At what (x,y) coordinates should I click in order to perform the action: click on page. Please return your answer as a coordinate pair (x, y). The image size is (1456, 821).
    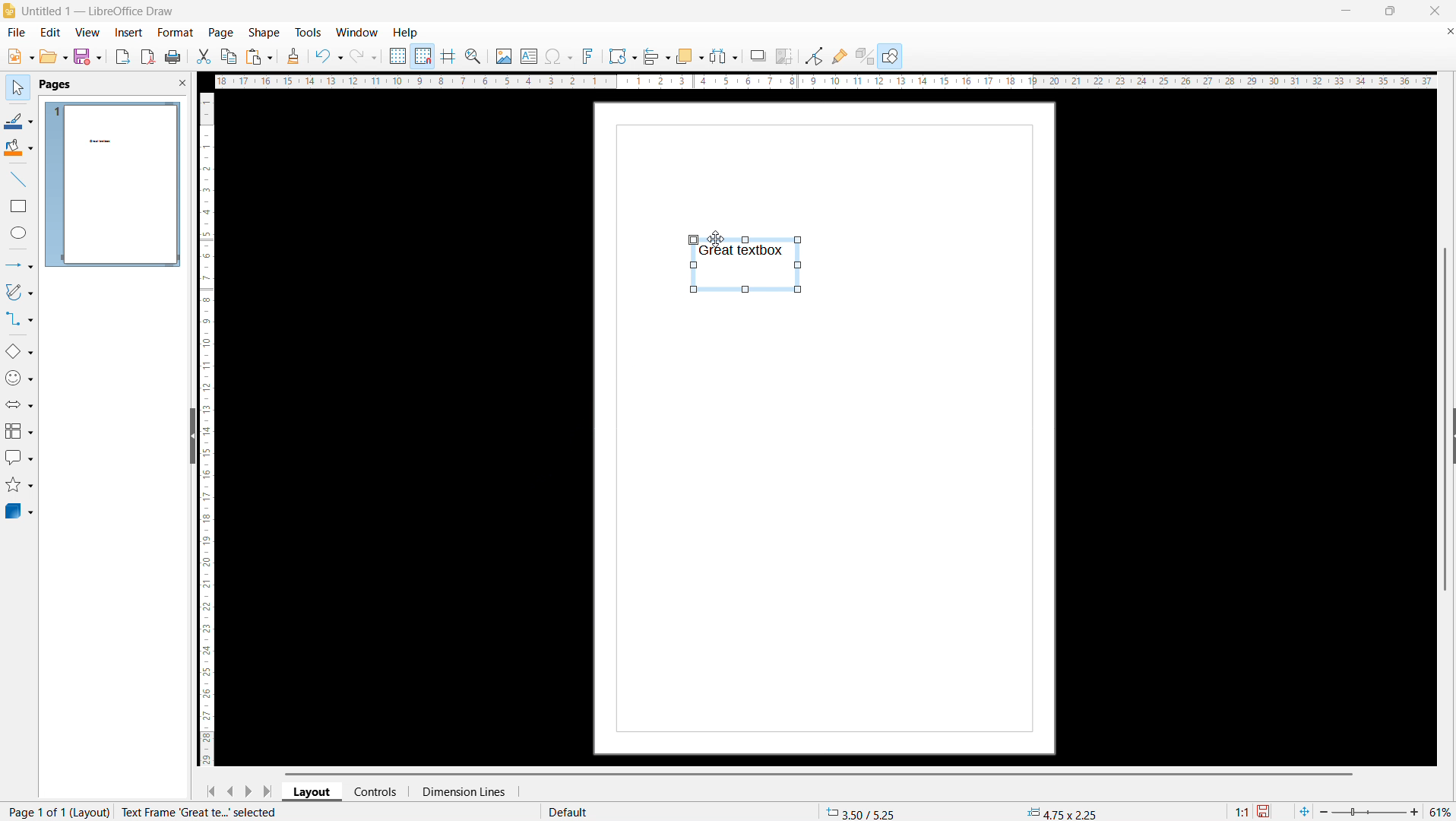
    Looking at the image, I should click on (221, 33).